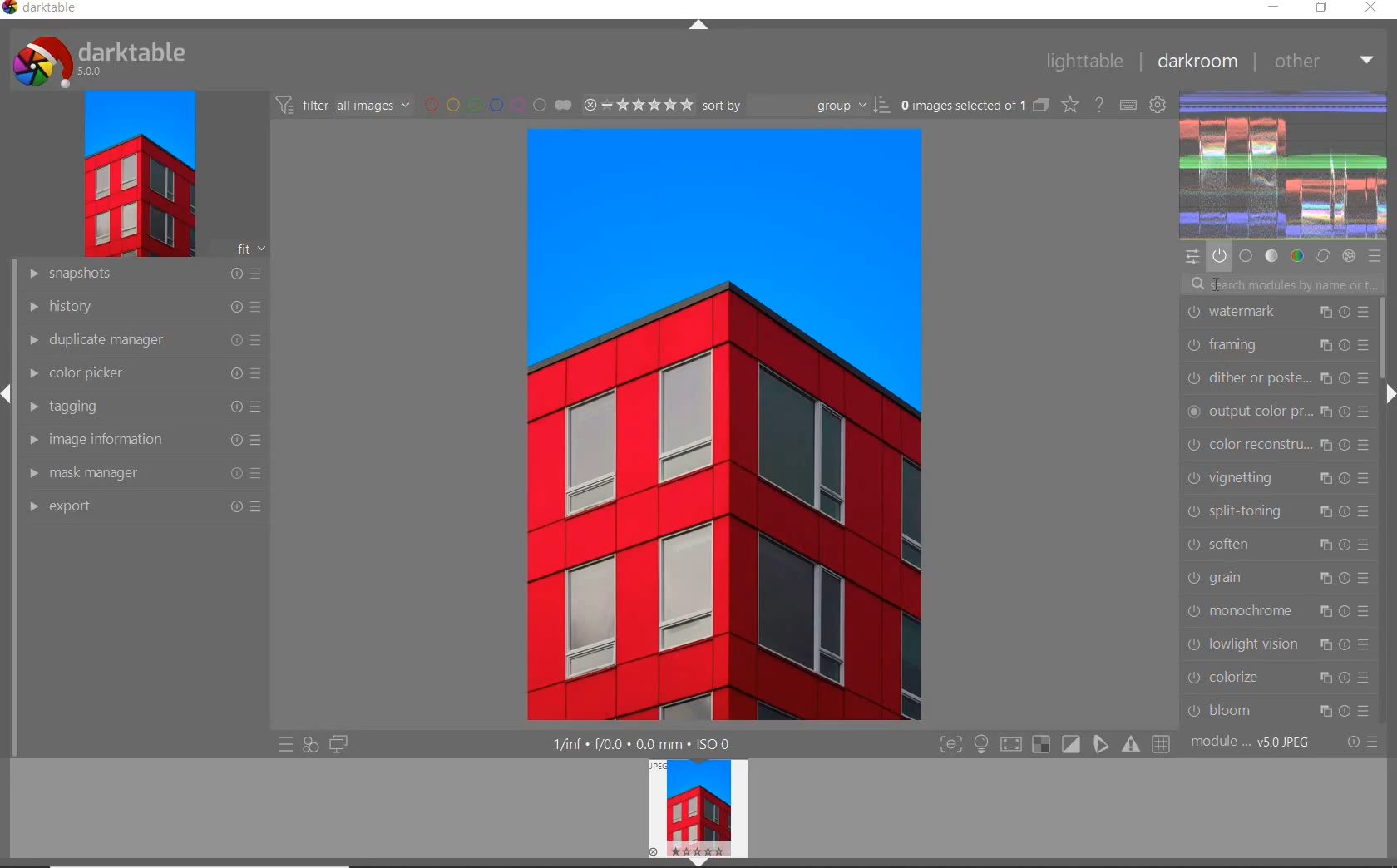 Image resolution: width=1397 pixels, height=868 pixels. Describe the element at coordinates (1039, 744) in the screenshot. I see `gamut check` at that location.